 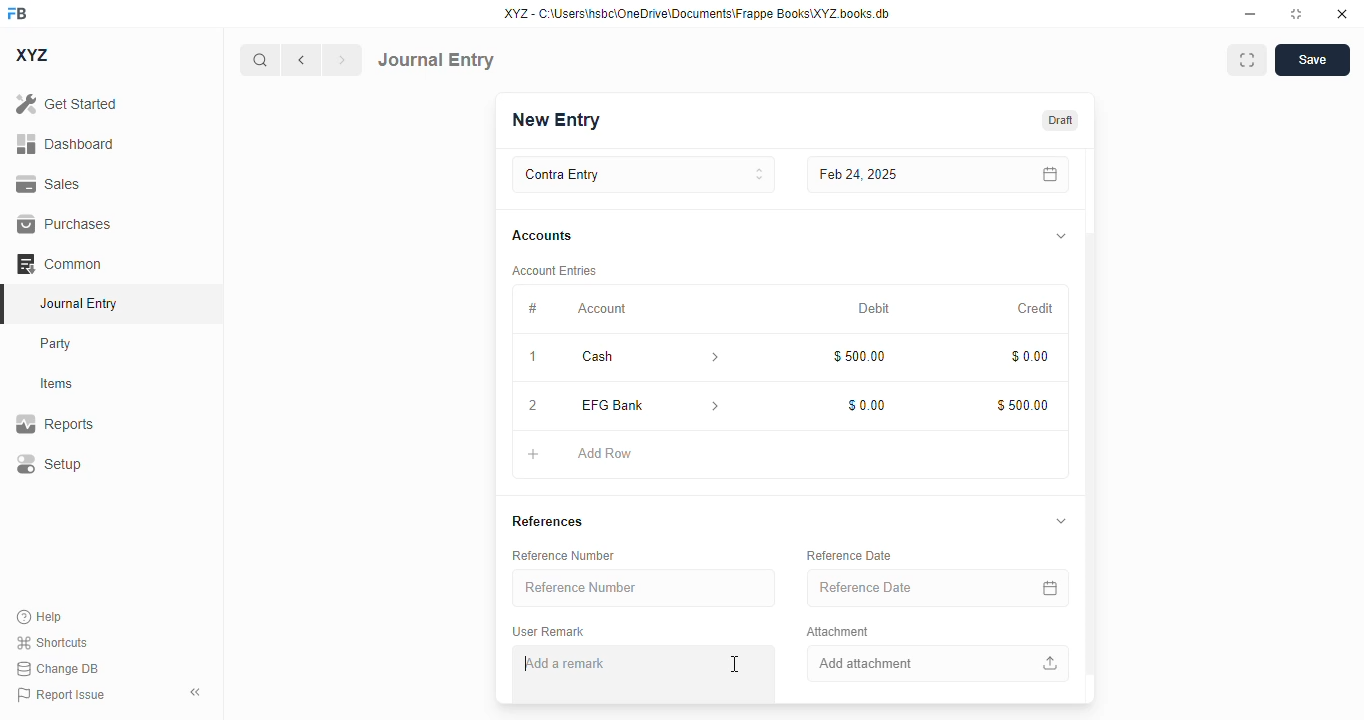 What do you see at coordinates (621, 357) in the screenshot?
I see `cash ` at bounding box center [621, 357].